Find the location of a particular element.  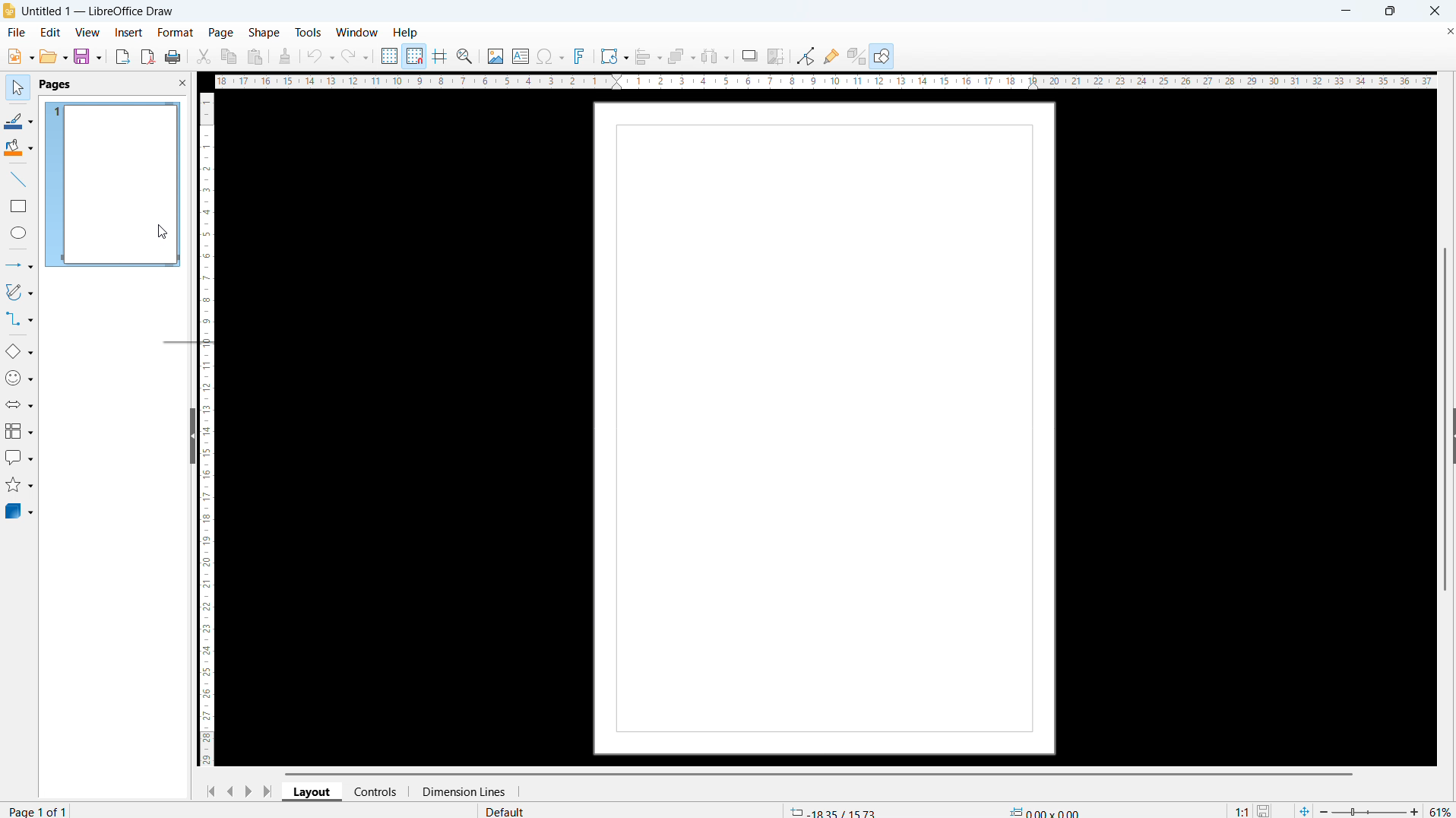

symbol shapes is located at coordinates (19, 378).